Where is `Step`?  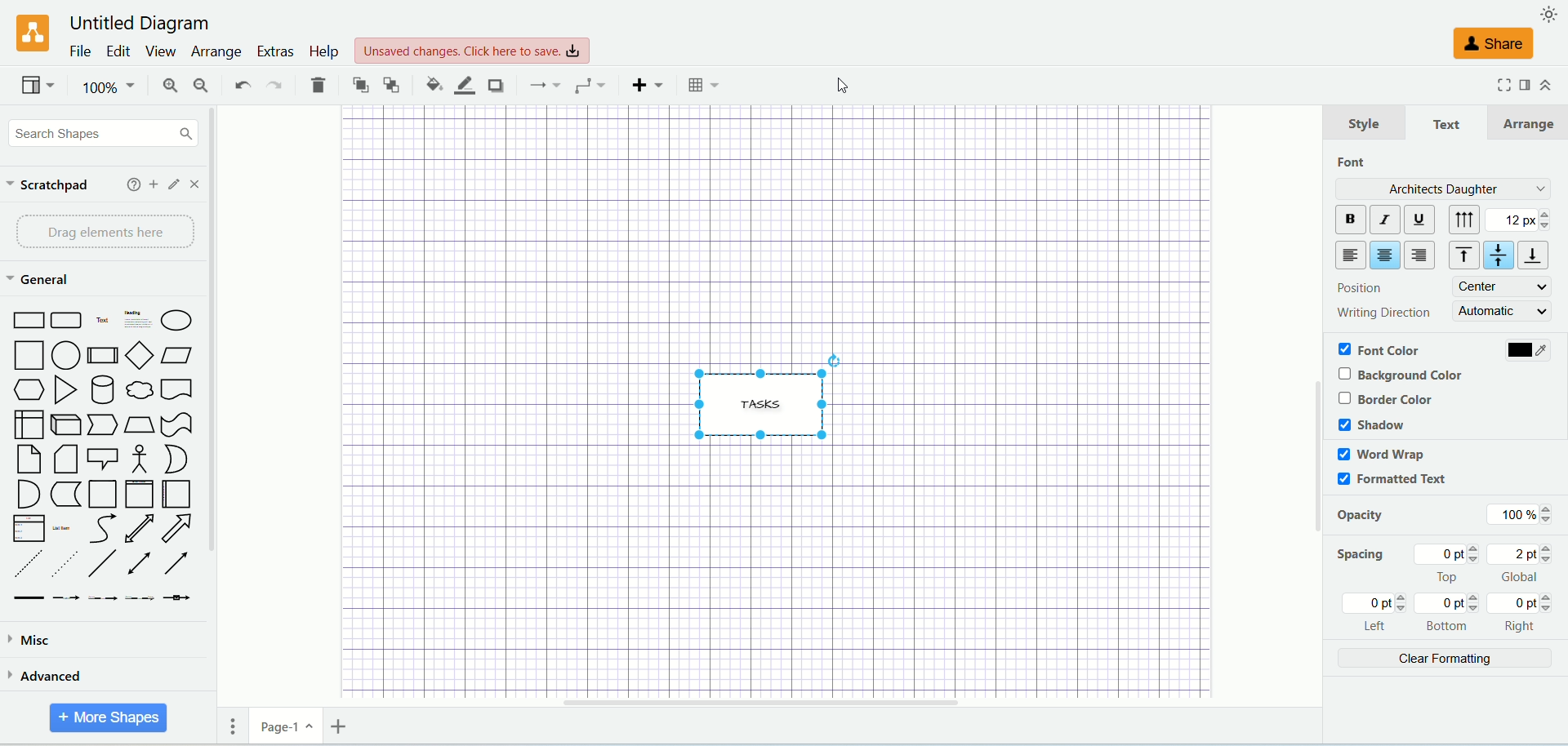
Step is located at coordinates (102, 425).